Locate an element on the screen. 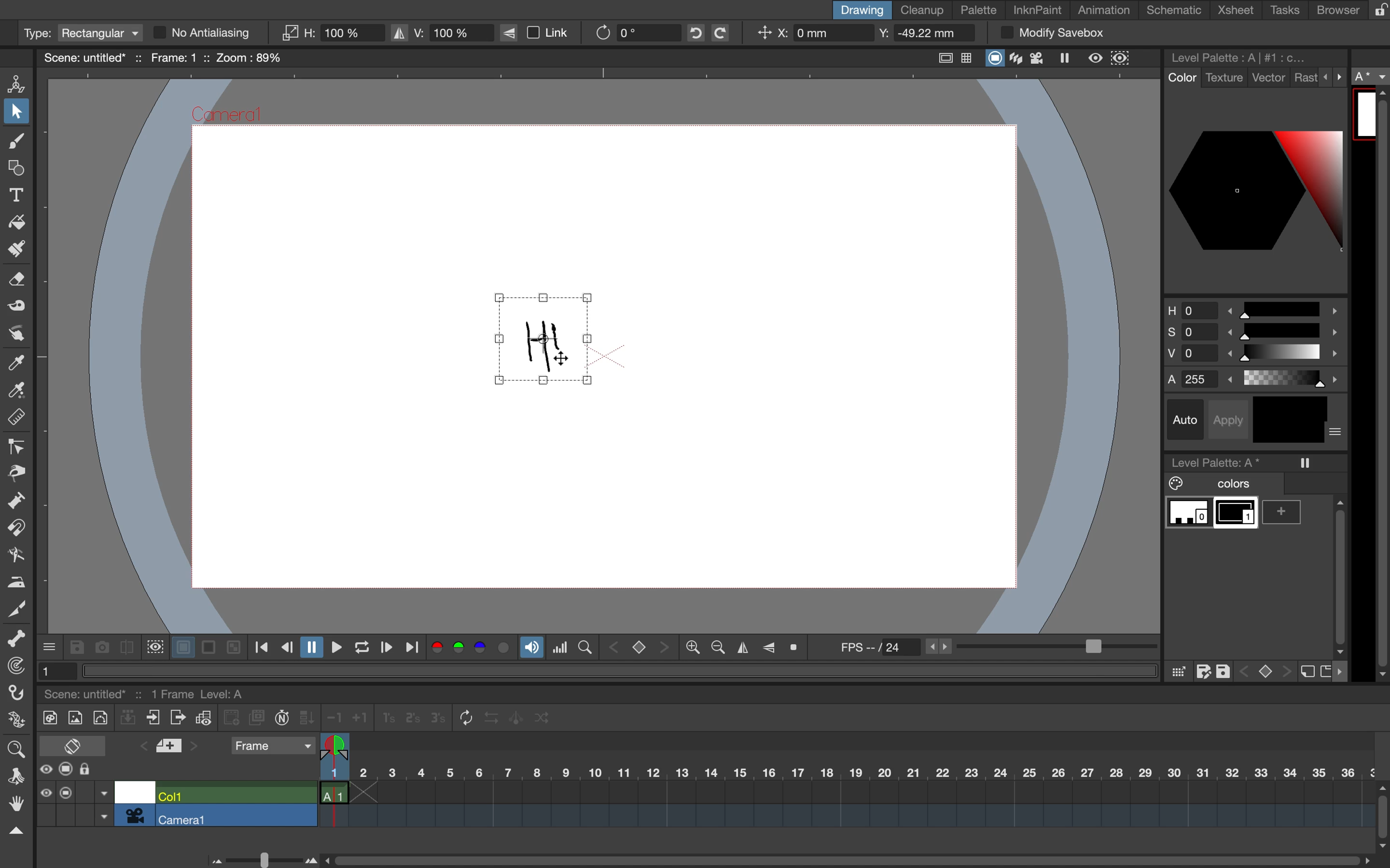  close xsubsheet is located at coordinates (153, 718).